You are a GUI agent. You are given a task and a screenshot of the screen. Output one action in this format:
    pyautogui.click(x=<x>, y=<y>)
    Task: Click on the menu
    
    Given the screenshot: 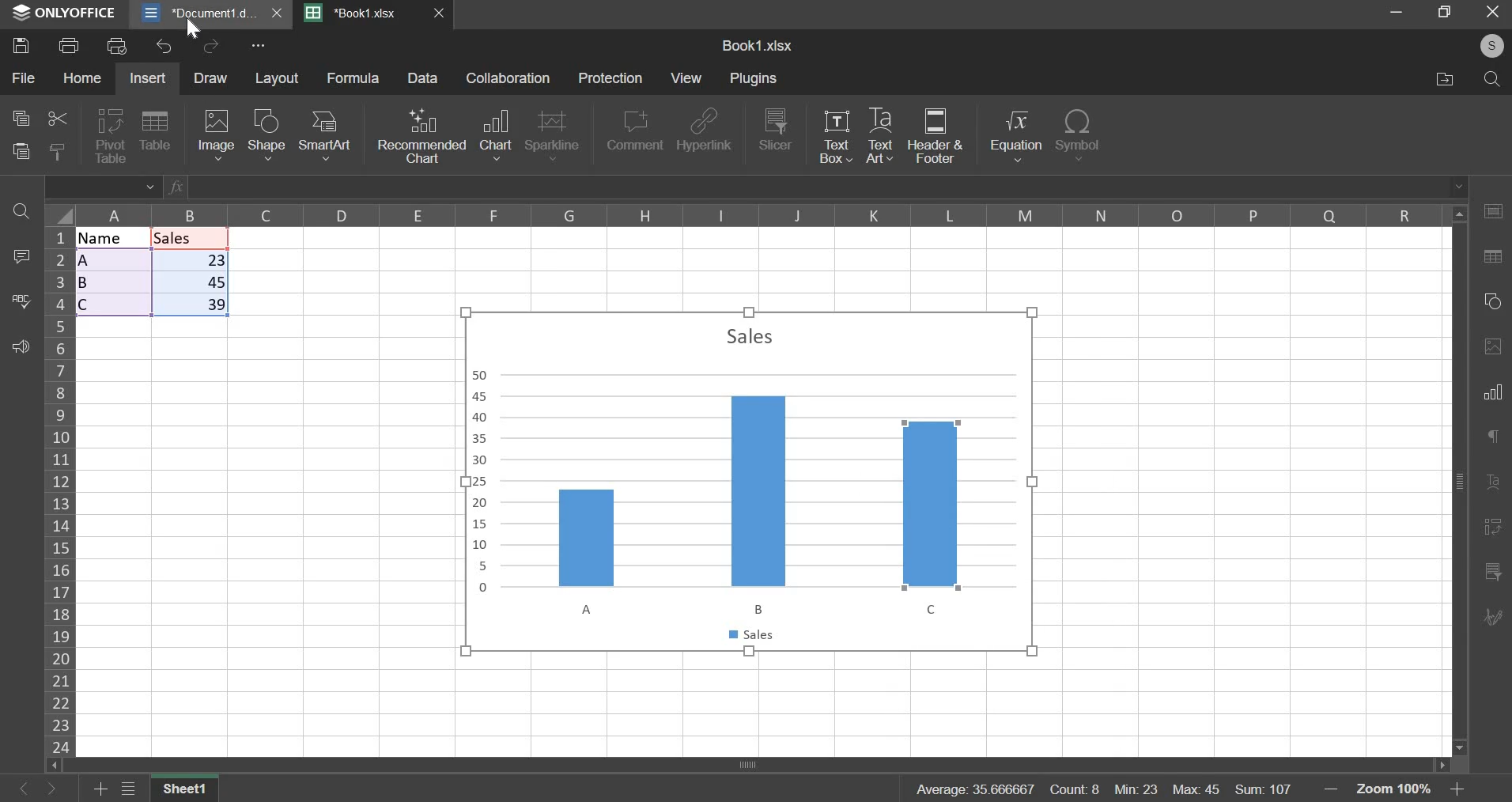 What is the action you would take?
    pyautogui.click(x=127, y=790)
    